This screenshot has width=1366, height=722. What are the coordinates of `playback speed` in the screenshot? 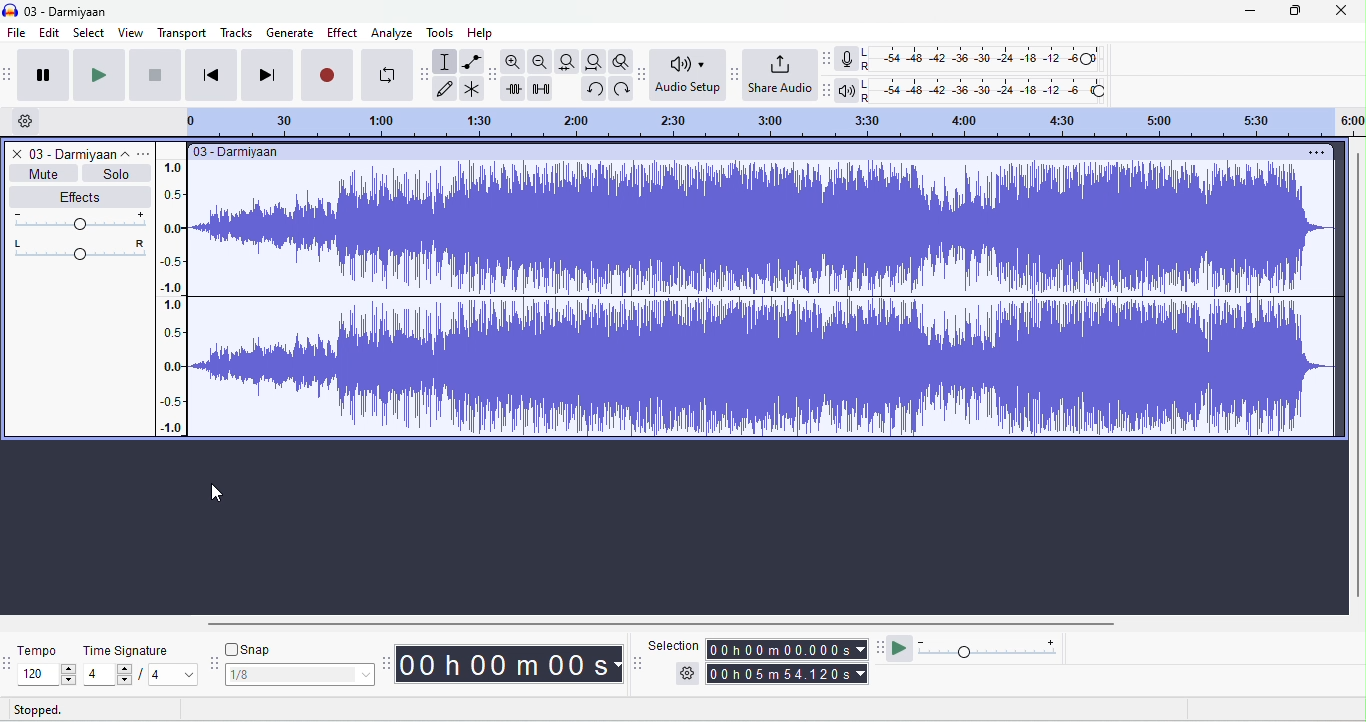 It's located at (989, 650).